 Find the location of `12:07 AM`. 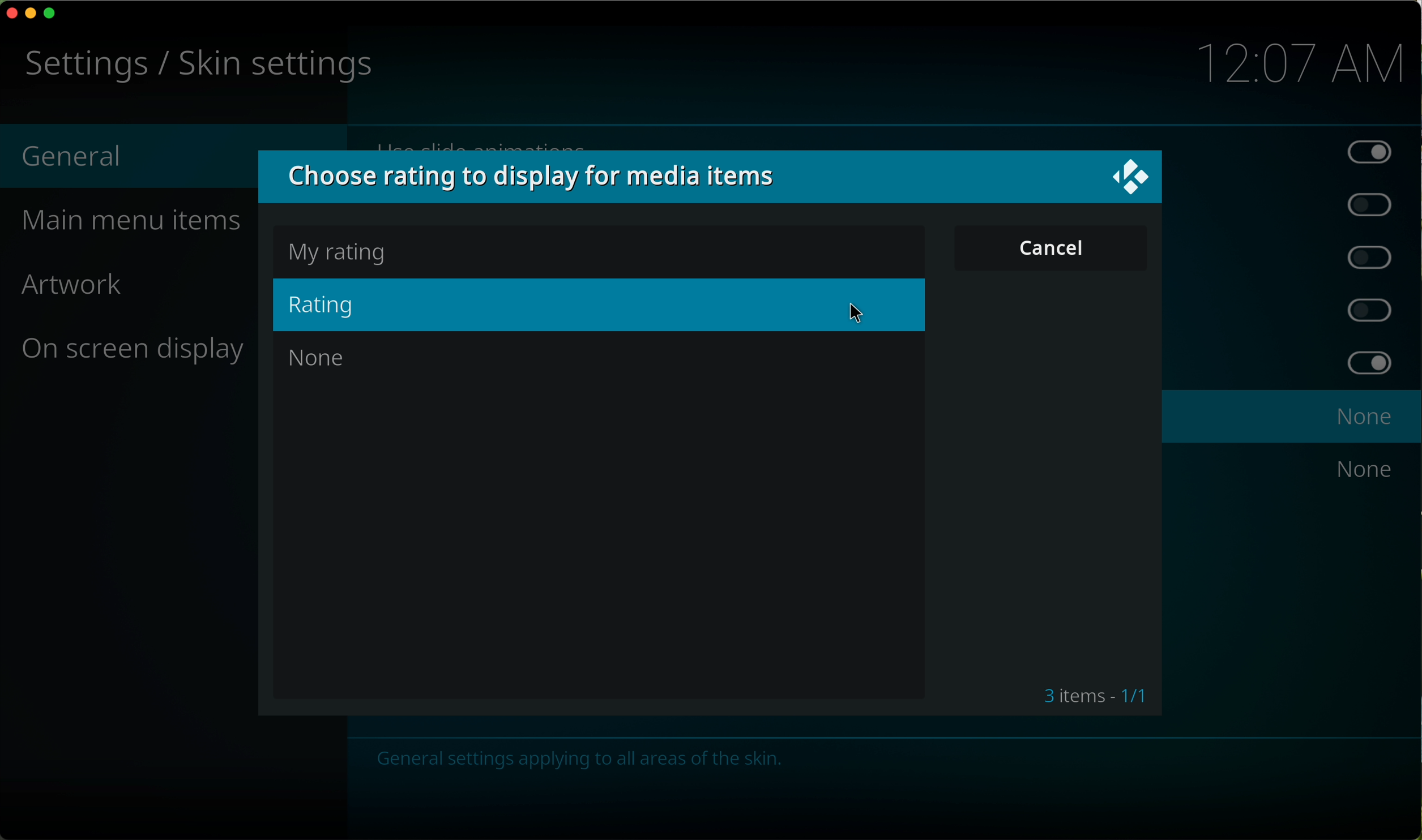

12:07 AM is located at coordinates (1299, 63).